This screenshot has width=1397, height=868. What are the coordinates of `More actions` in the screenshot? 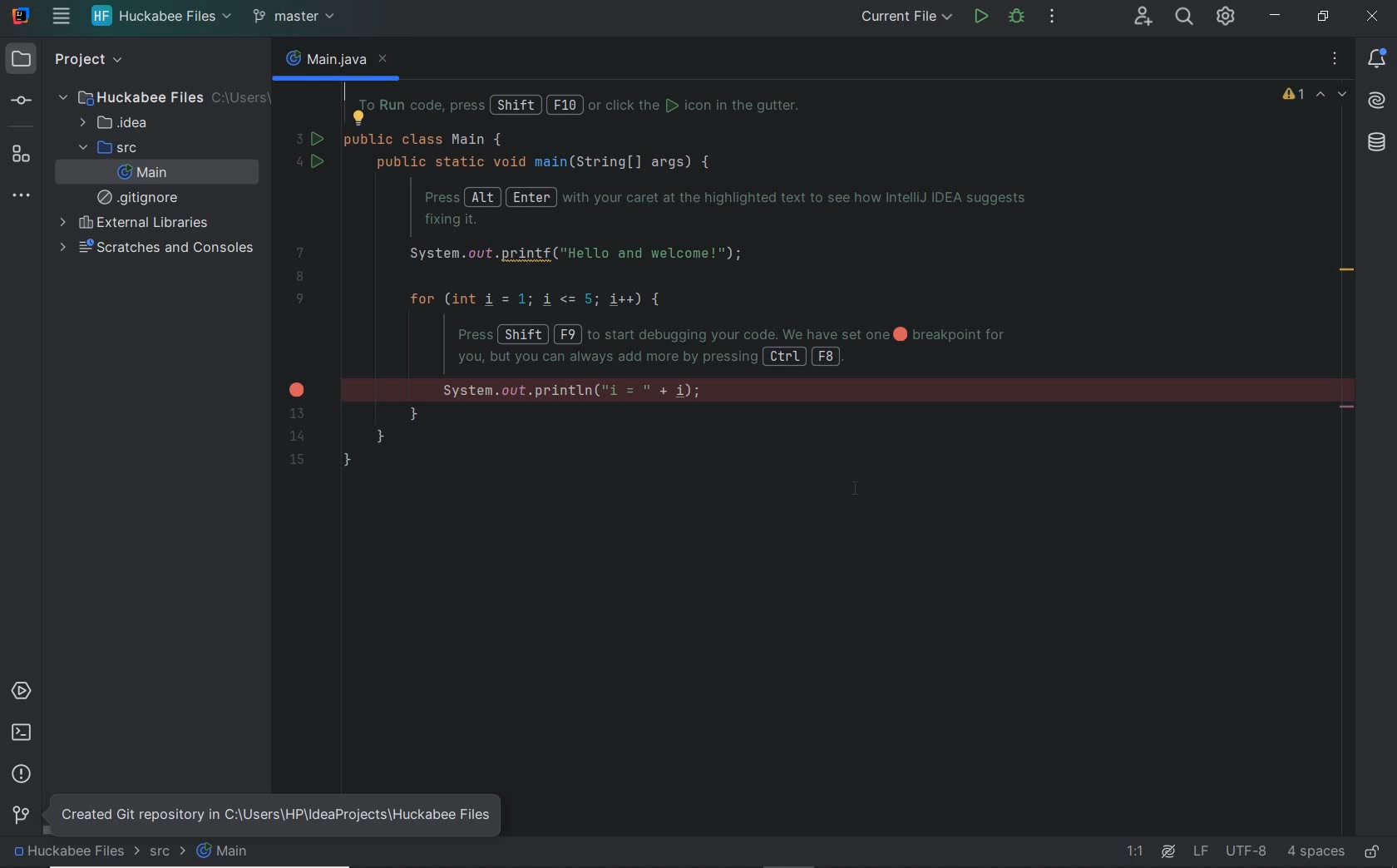 It's located at (1053, 19).